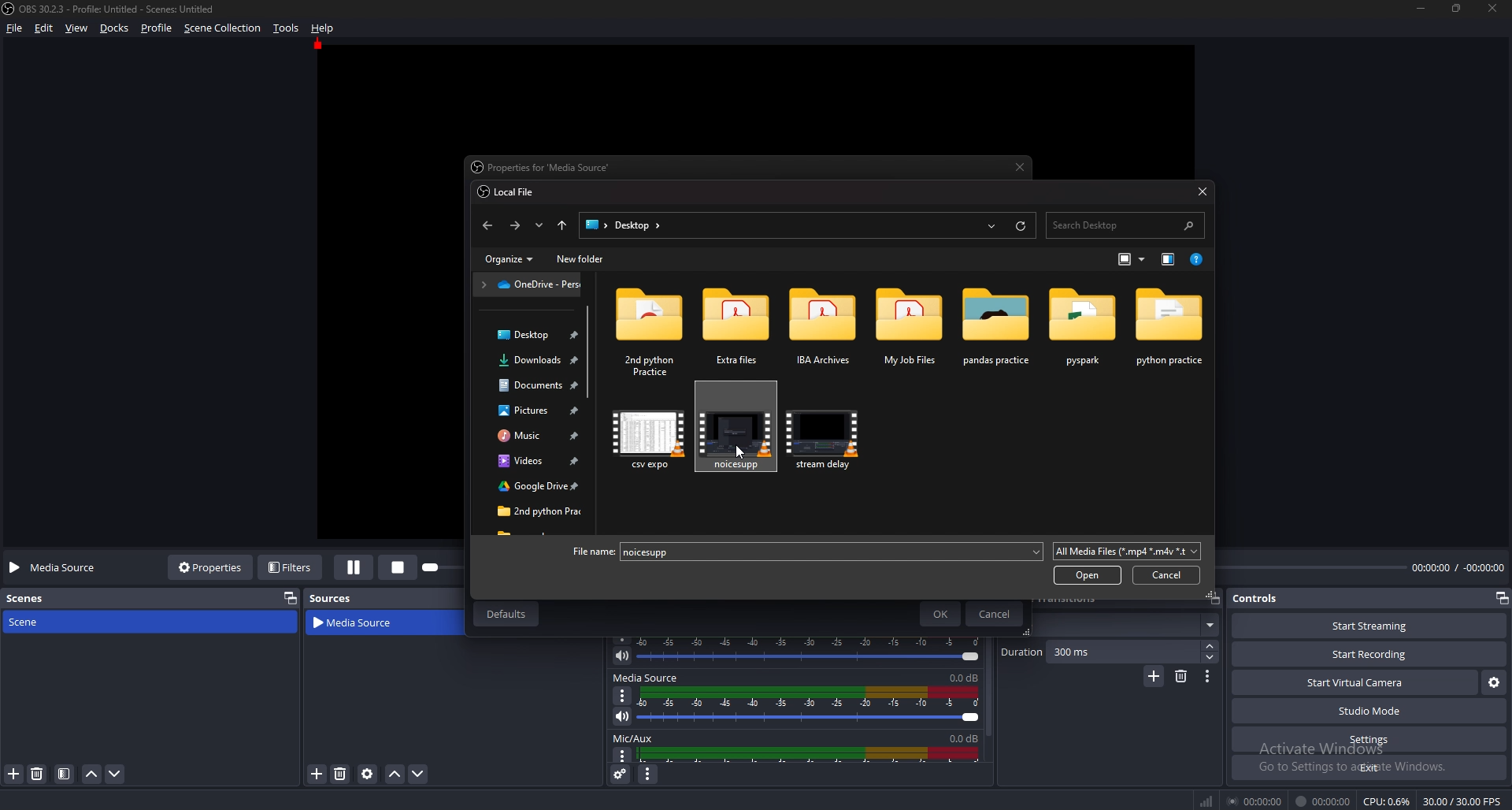  Describe the element at coordinates (813, 754) in the screenshot. I see `mic/aux volume` at that location.